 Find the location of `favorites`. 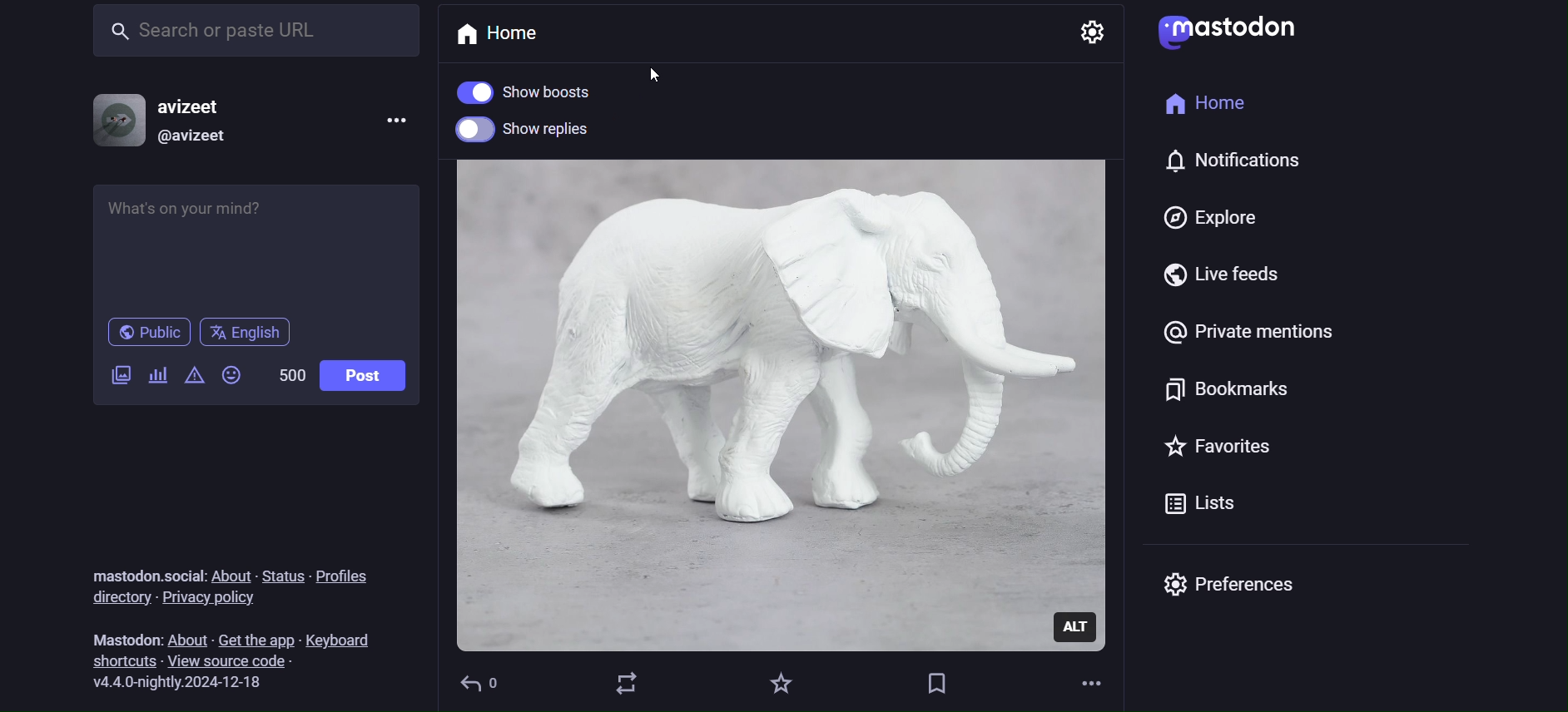

favorites is located at coordinates (1216, 452).